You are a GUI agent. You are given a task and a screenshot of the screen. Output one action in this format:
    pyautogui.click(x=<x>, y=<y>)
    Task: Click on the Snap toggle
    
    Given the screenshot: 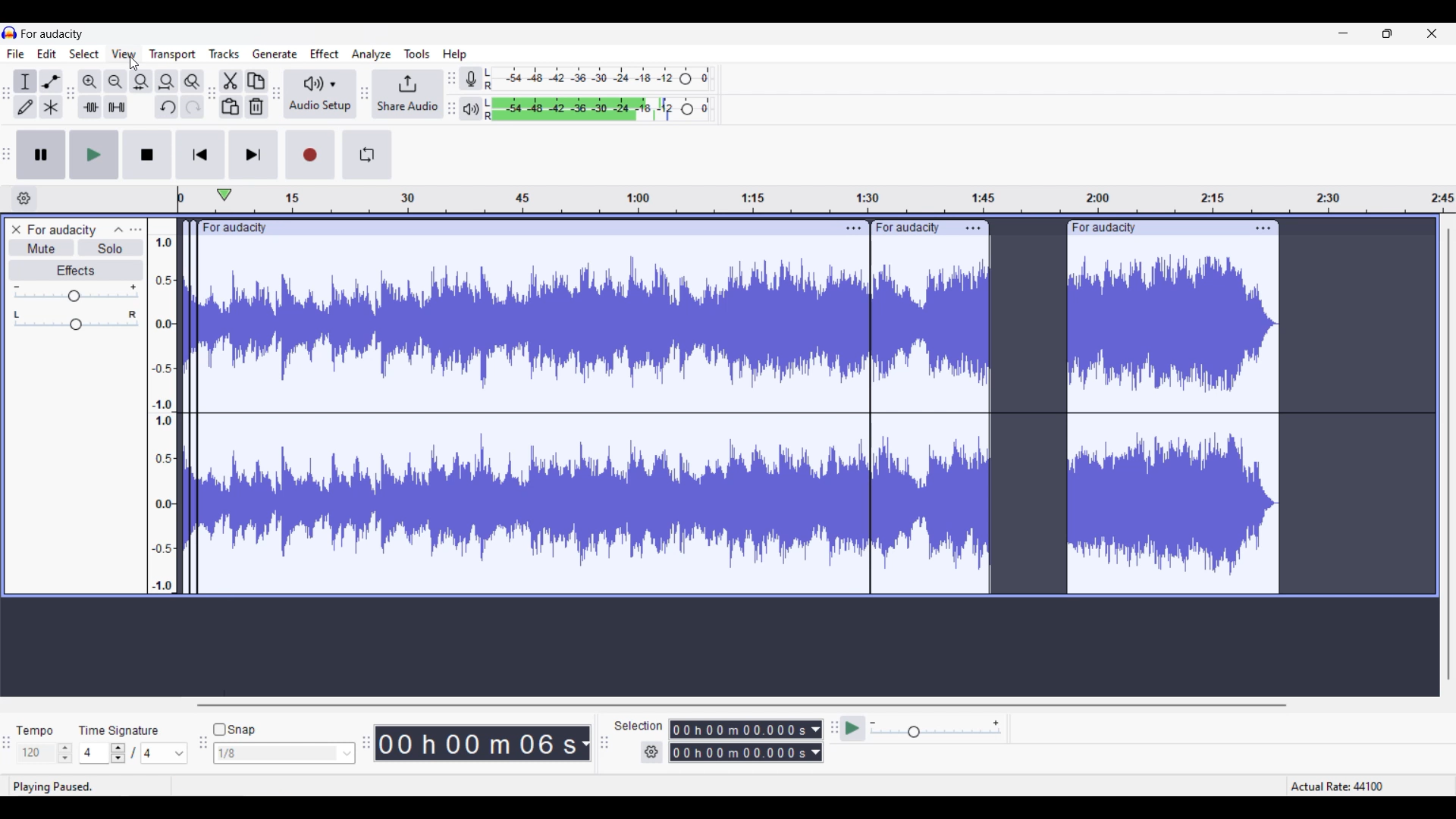 What is the action you would take?
    pyautogui.click(x=234, y=730)
    